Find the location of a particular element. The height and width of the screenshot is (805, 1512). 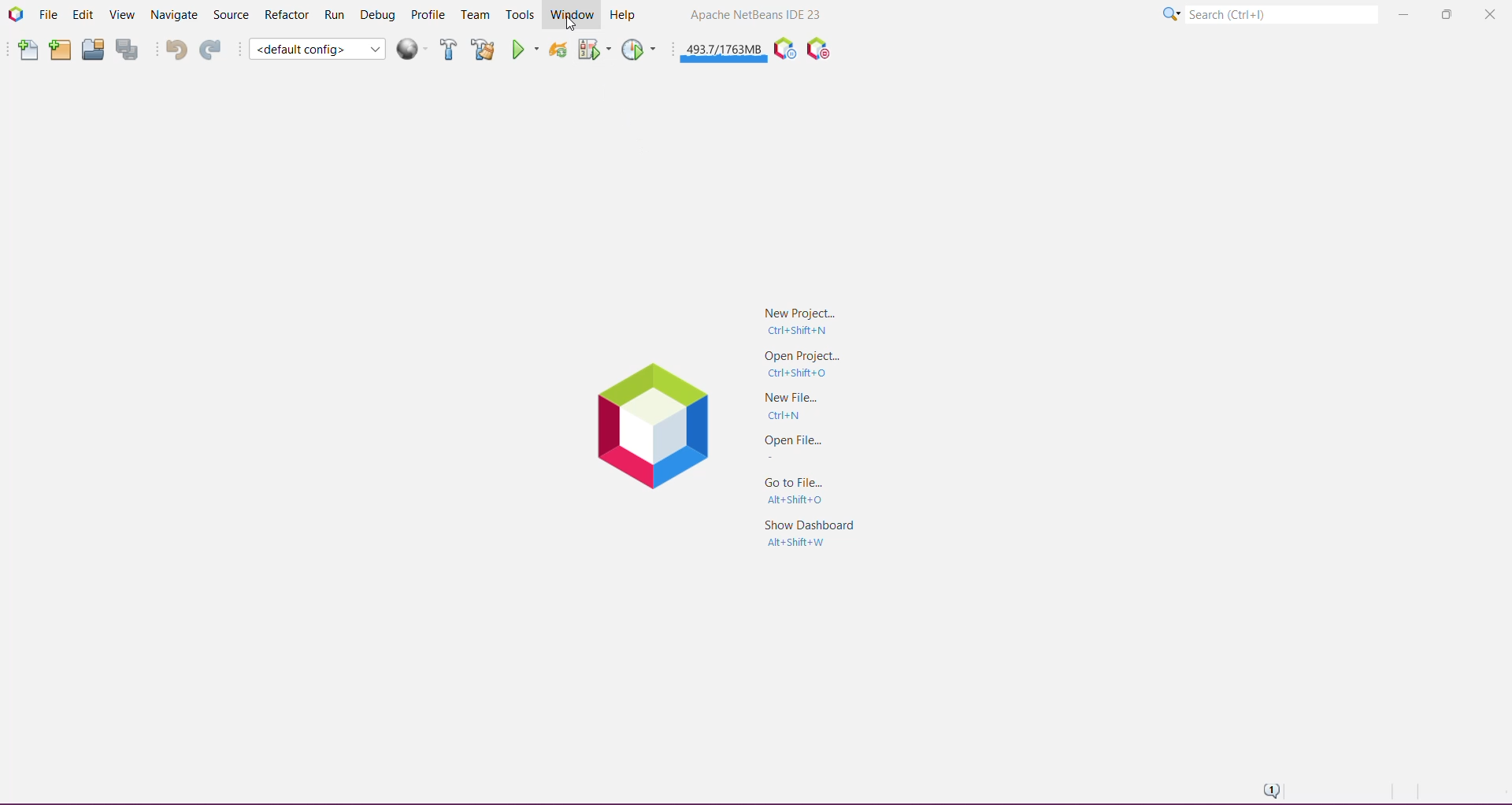

Open Project is located at coordinates (92, 49).